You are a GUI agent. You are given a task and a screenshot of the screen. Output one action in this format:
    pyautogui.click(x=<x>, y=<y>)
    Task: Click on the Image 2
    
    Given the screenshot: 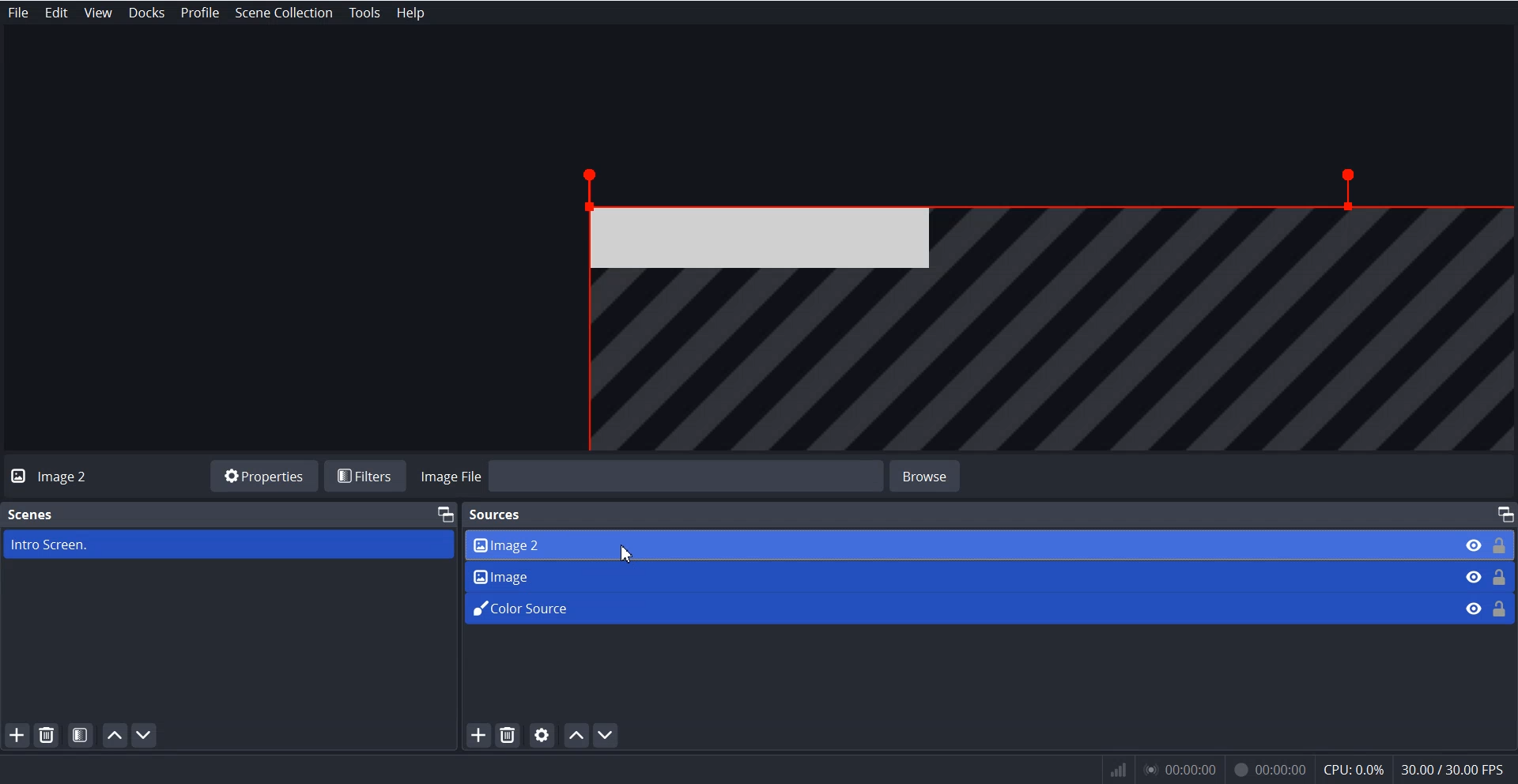 What is the action you would take?
    pyautogui.click(x=954, y=544)
    